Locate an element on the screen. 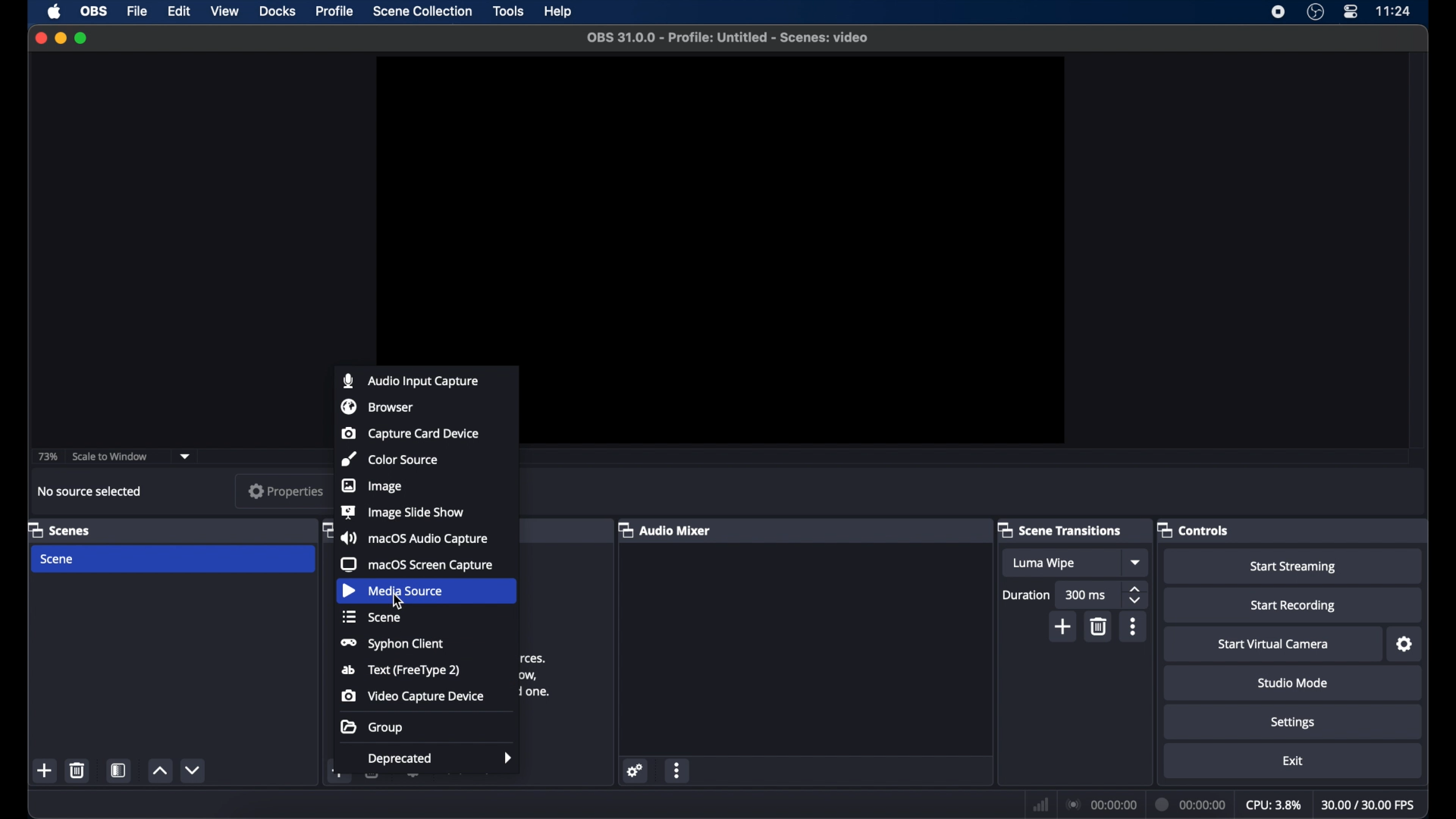 Image resolution: width=1456 pixels, height=819 pixels. dropdown is located at coordinates (1137, 562).